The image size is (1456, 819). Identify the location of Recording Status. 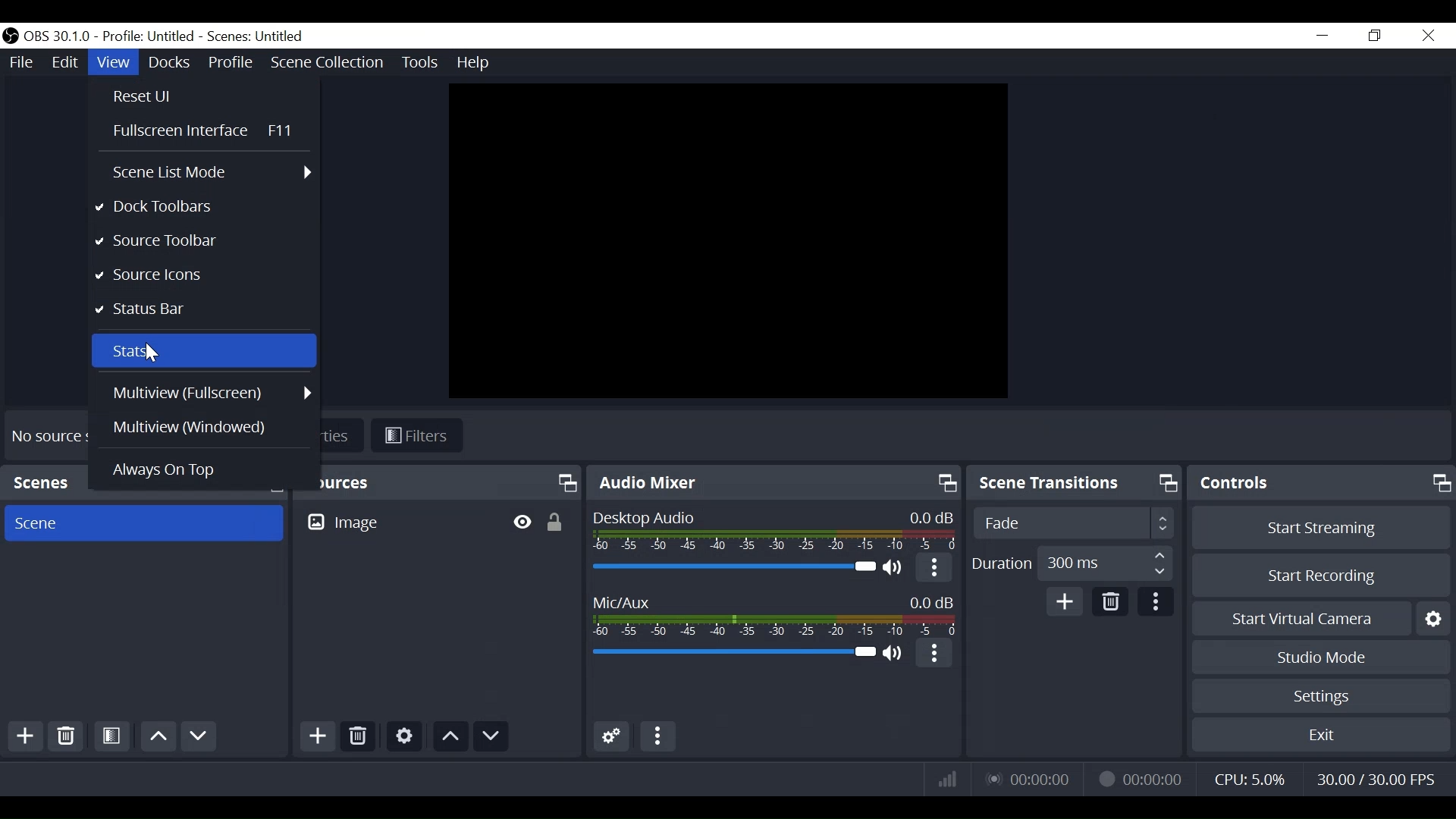
(1140, 777).